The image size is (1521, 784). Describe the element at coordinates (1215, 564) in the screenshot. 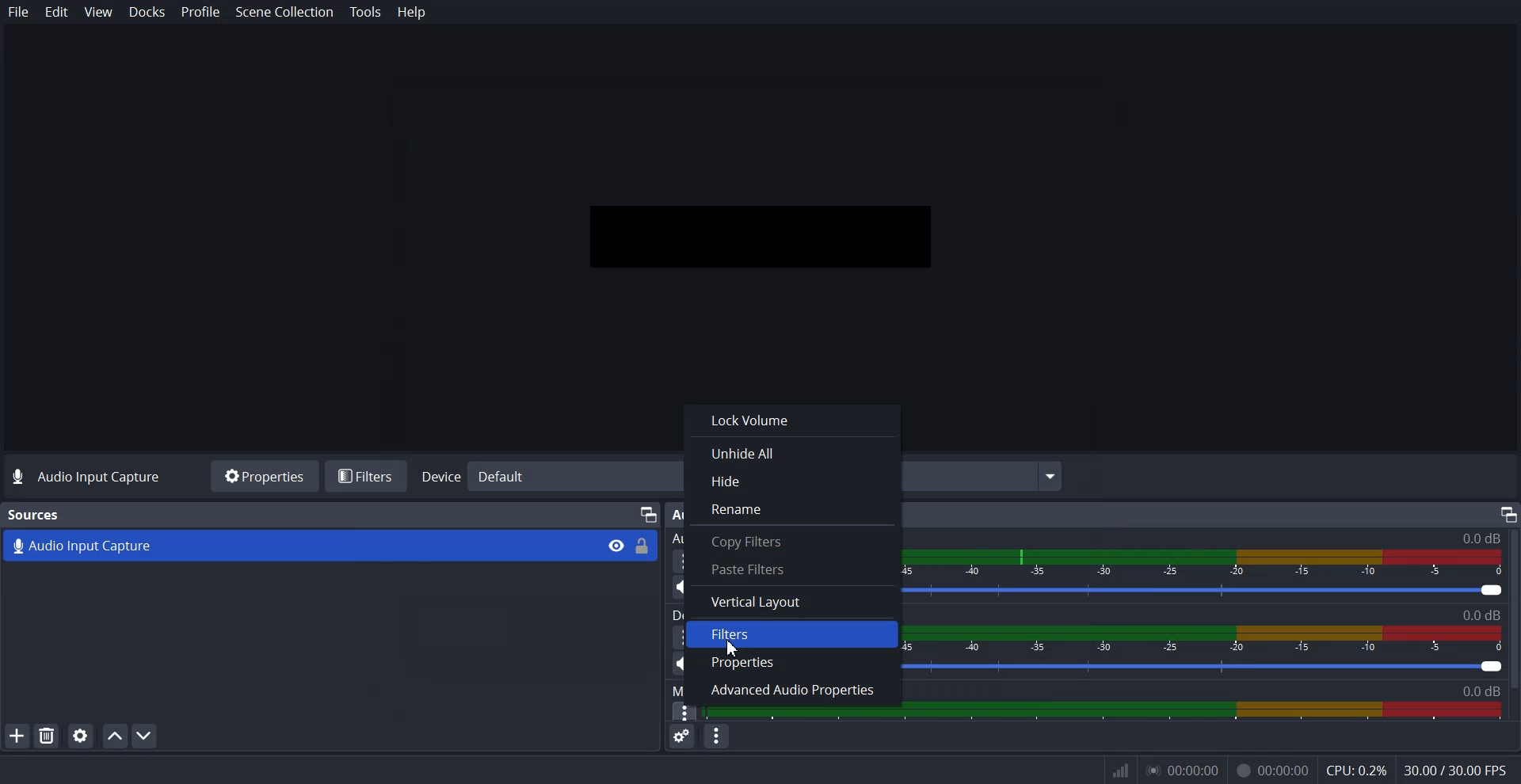

I see `Volume Indicator` at that location.